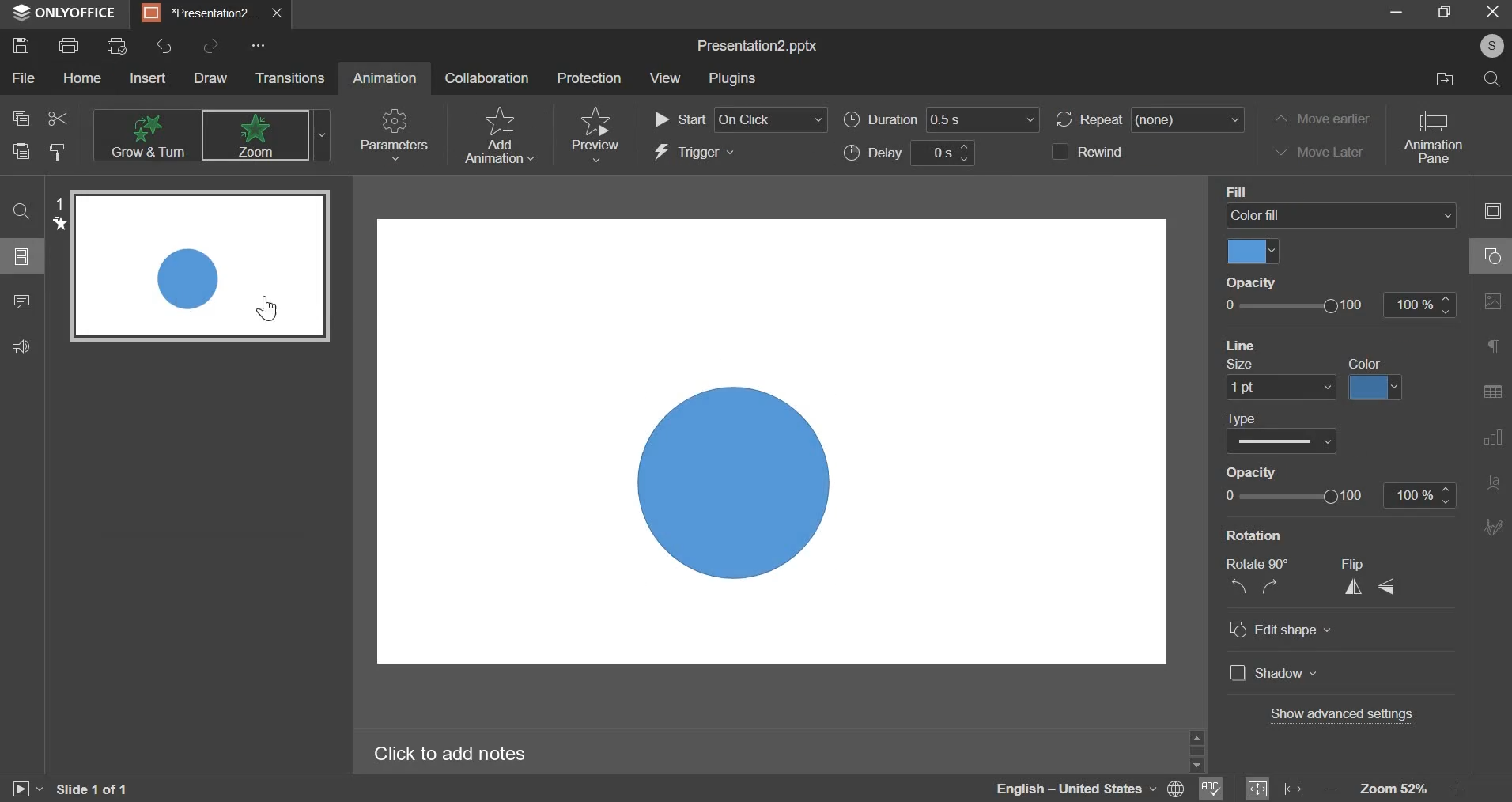 The width and height of the screenshot is (1512, 802). What do you see at coordinates (148, 78) in the screenshot?
I see `Insert` at bounding box center [148, 78].